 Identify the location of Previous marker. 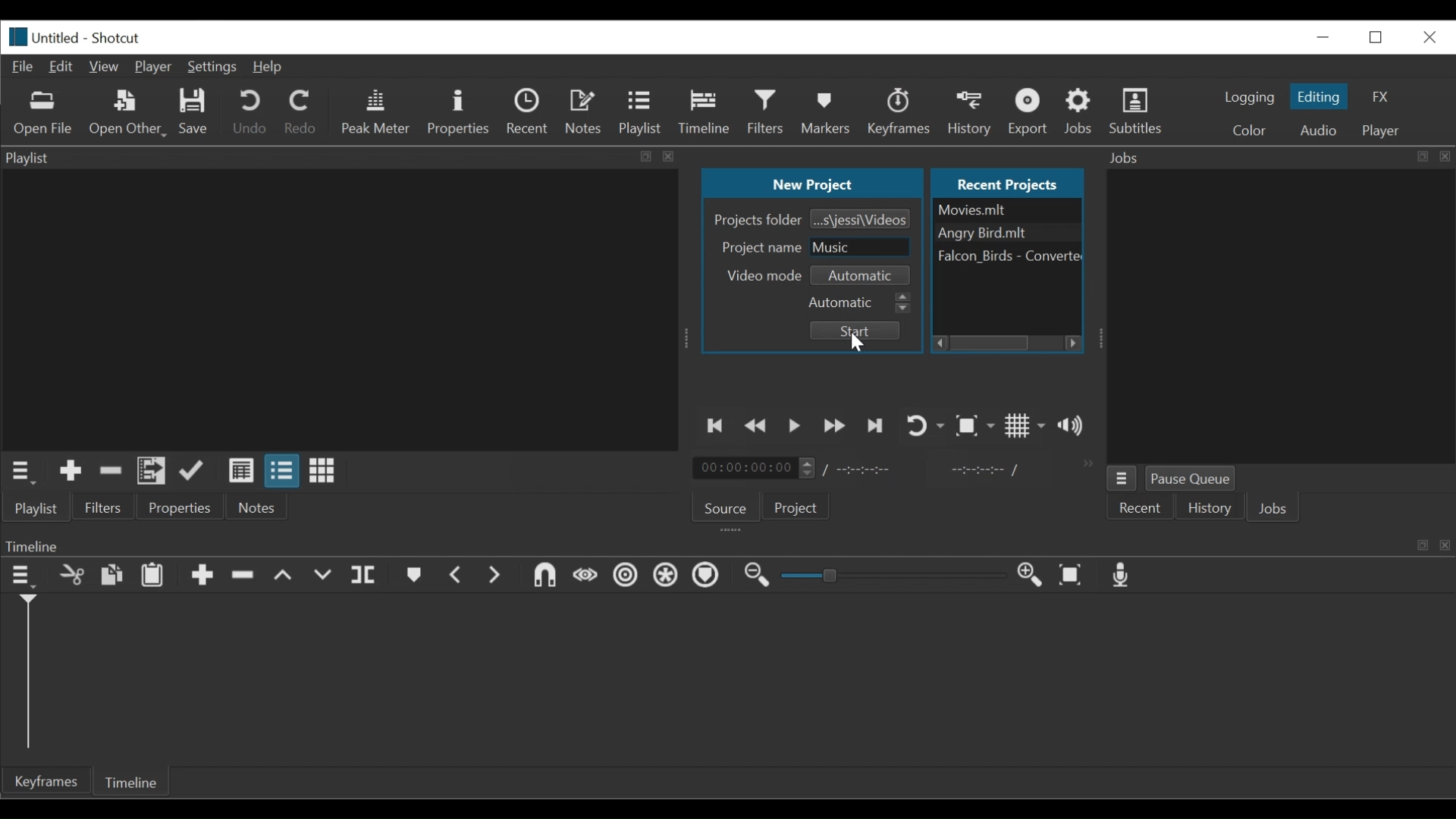
(456, 573).